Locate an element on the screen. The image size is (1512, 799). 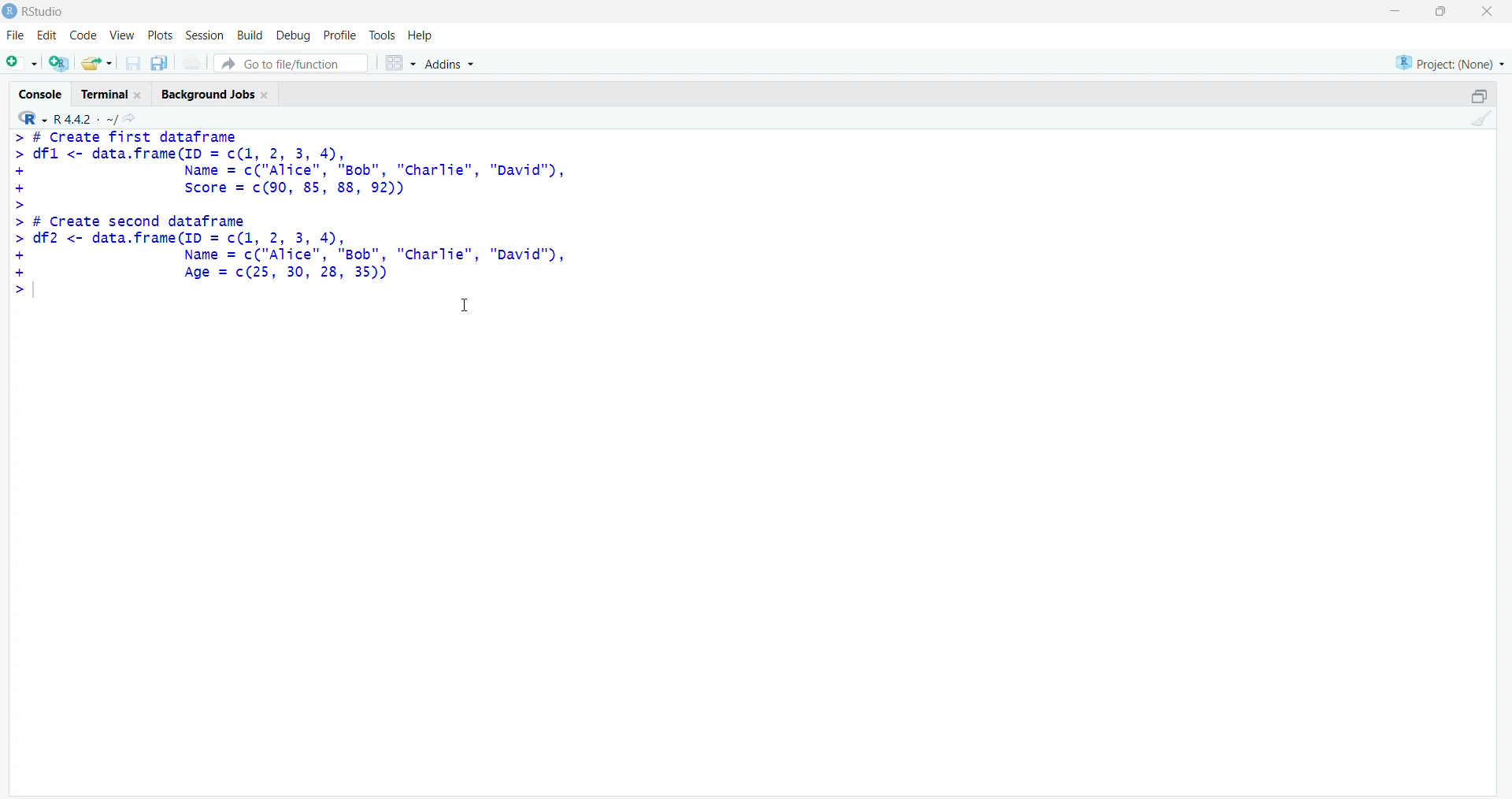
clean is located at coordinates (1483, 118).